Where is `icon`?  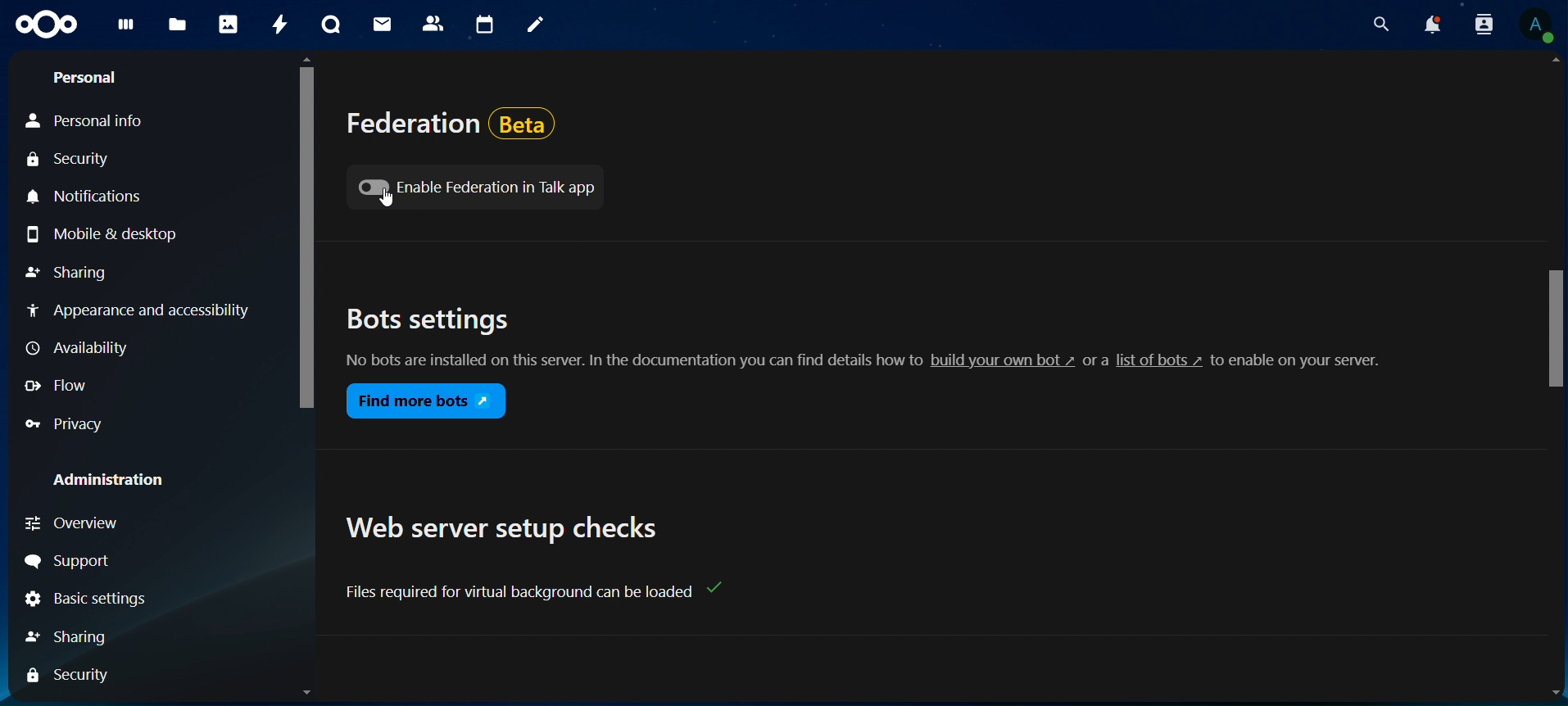 icon is located at coordinates (48, 25).